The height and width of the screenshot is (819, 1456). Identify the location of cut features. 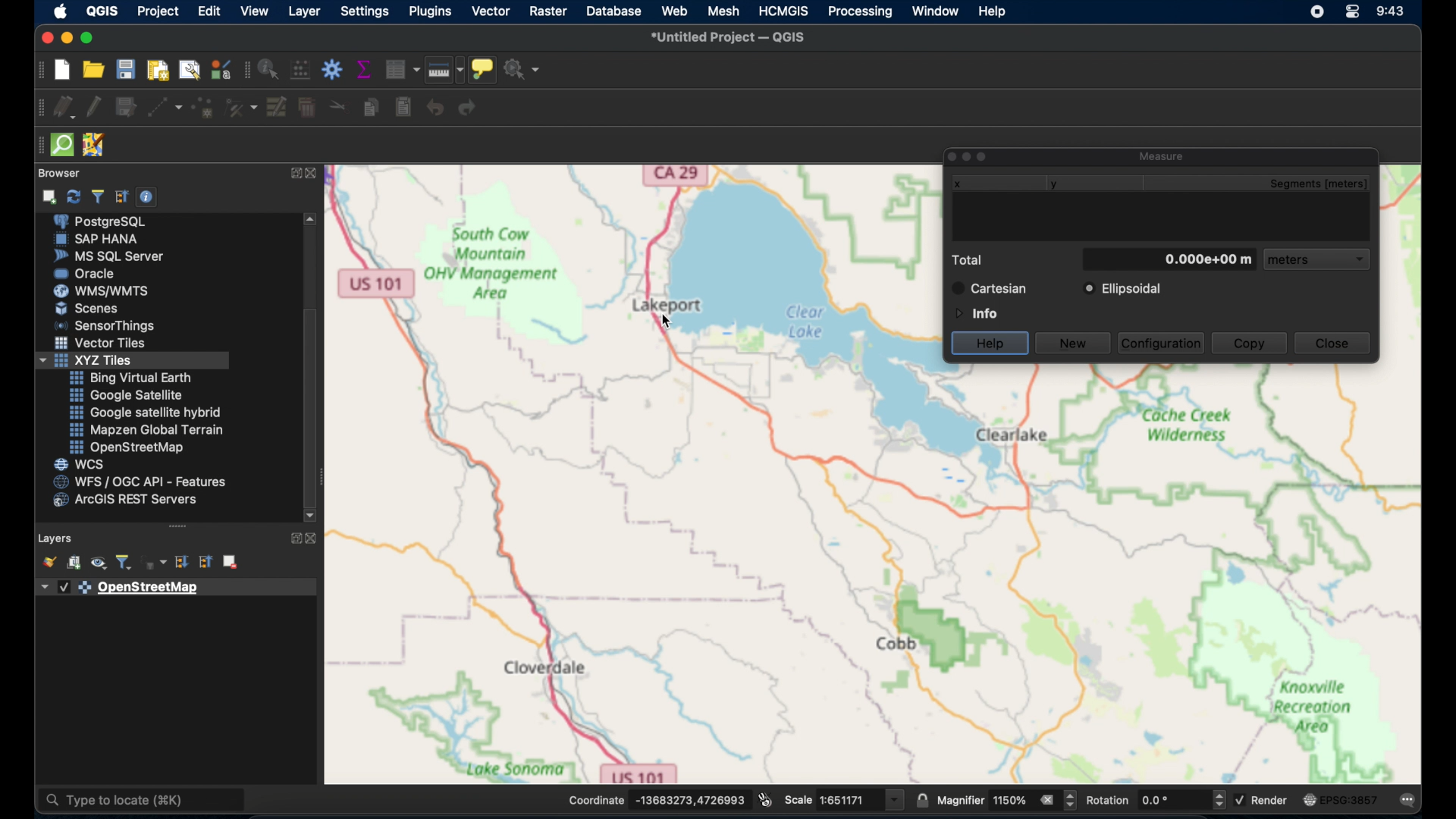
(335, 105).